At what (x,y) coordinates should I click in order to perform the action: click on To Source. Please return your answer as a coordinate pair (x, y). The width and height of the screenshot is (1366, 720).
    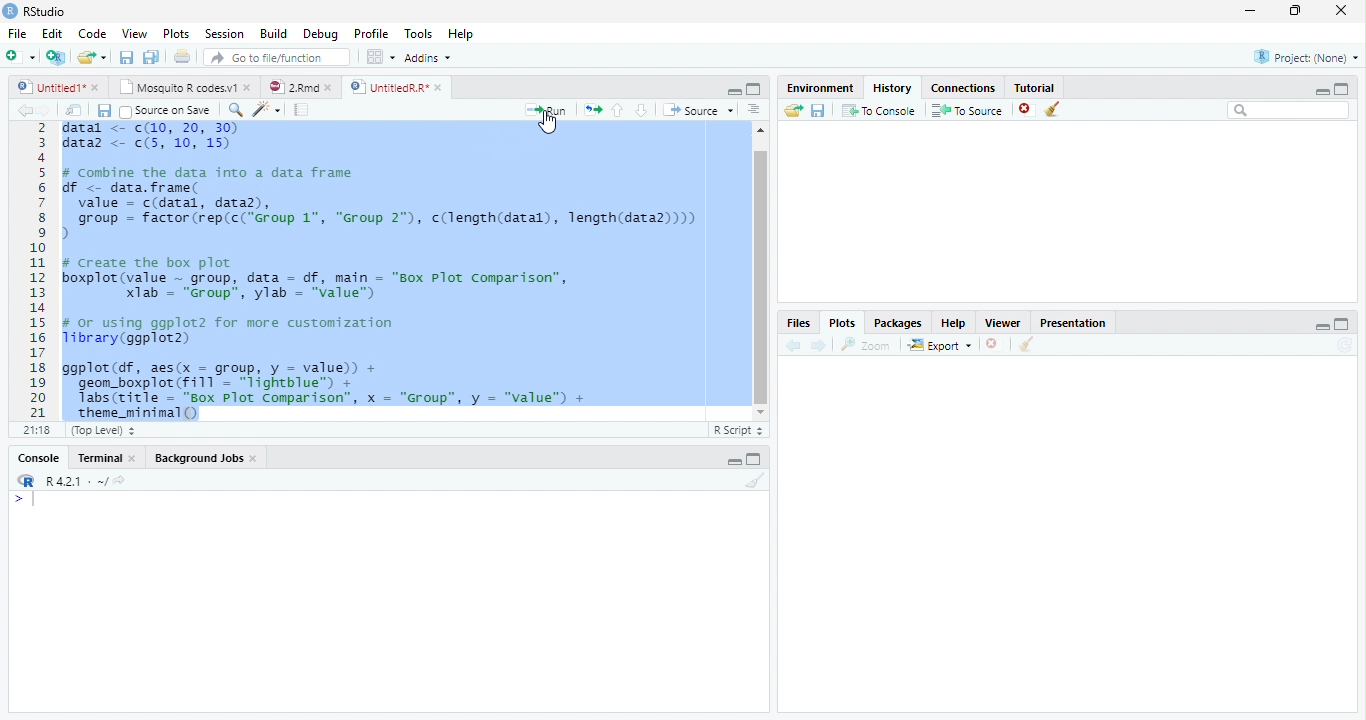
    Looking at the image, I should click on (968, 110).